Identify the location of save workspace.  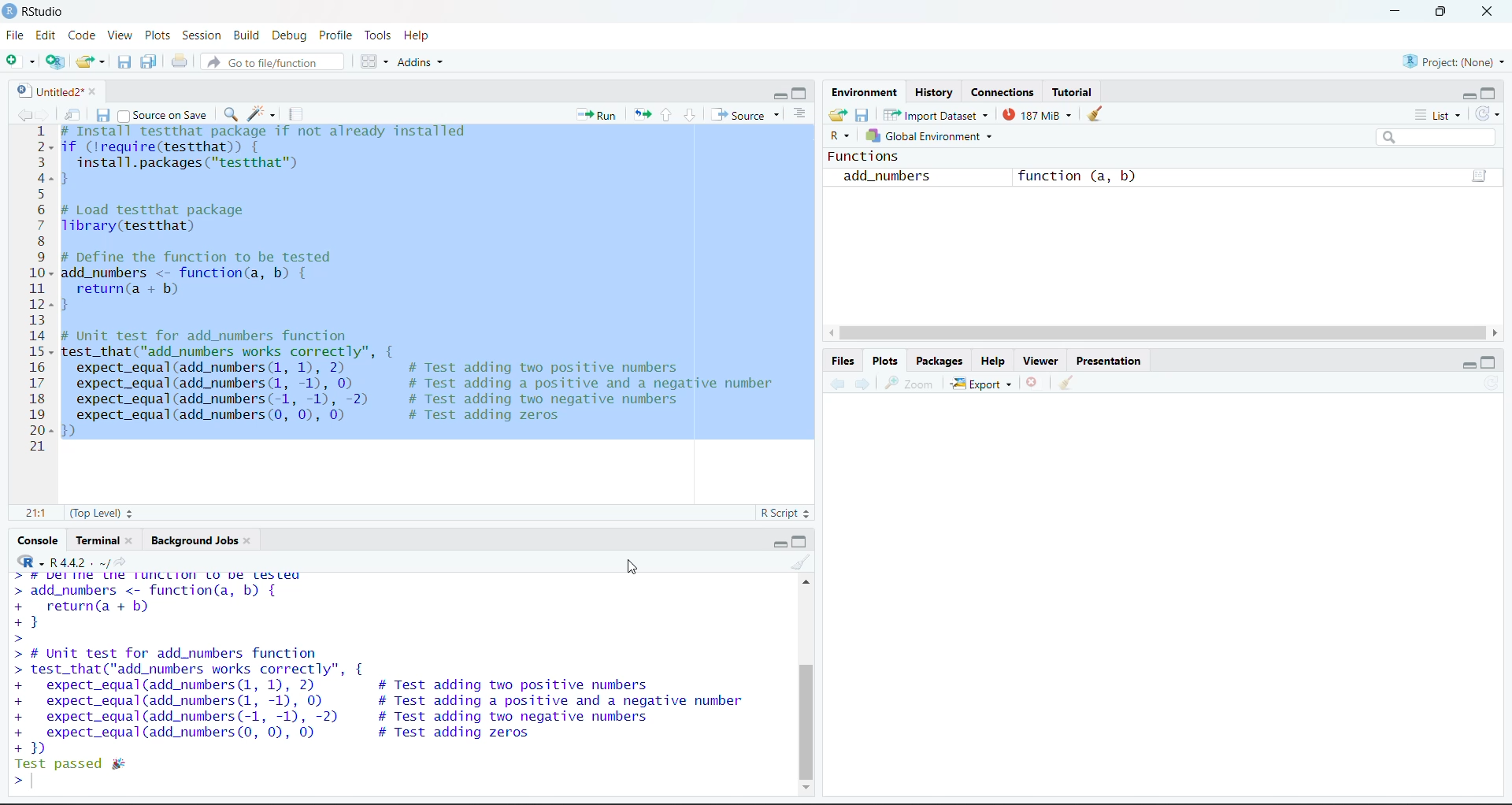
(863, 116).